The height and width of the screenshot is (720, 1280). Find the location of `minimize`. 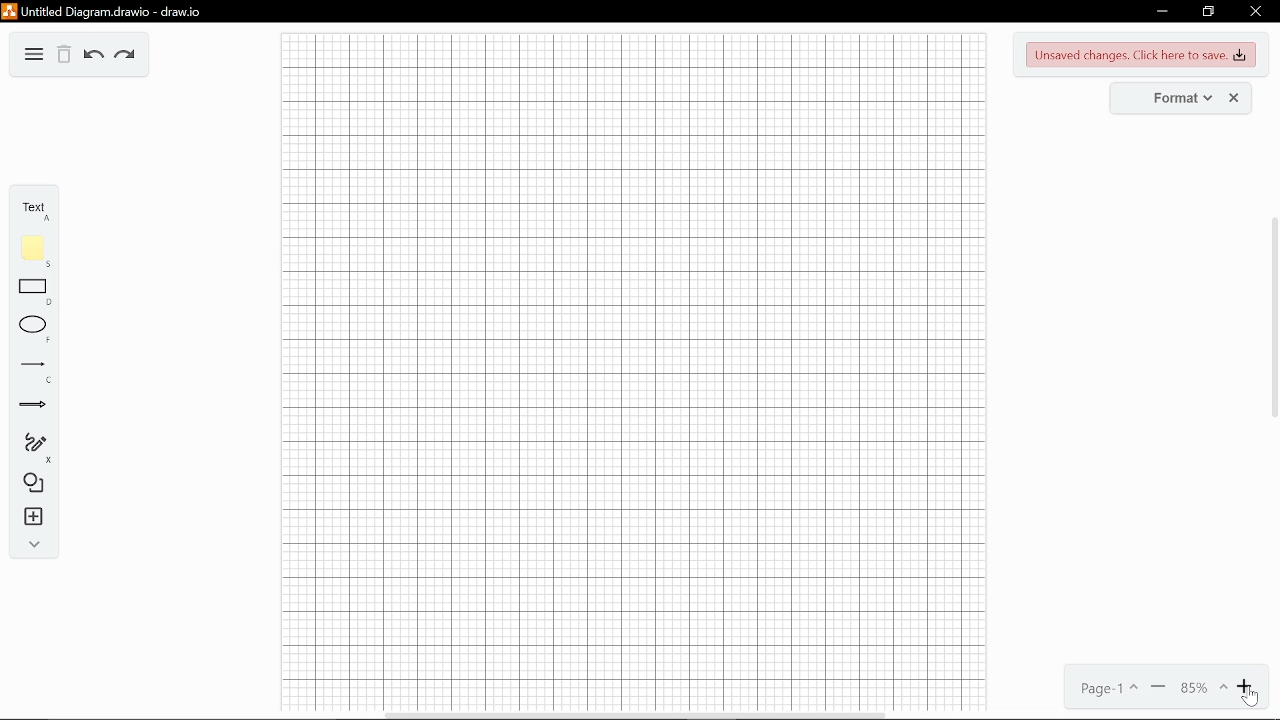

minimize is located at coordinates (1162, 11).